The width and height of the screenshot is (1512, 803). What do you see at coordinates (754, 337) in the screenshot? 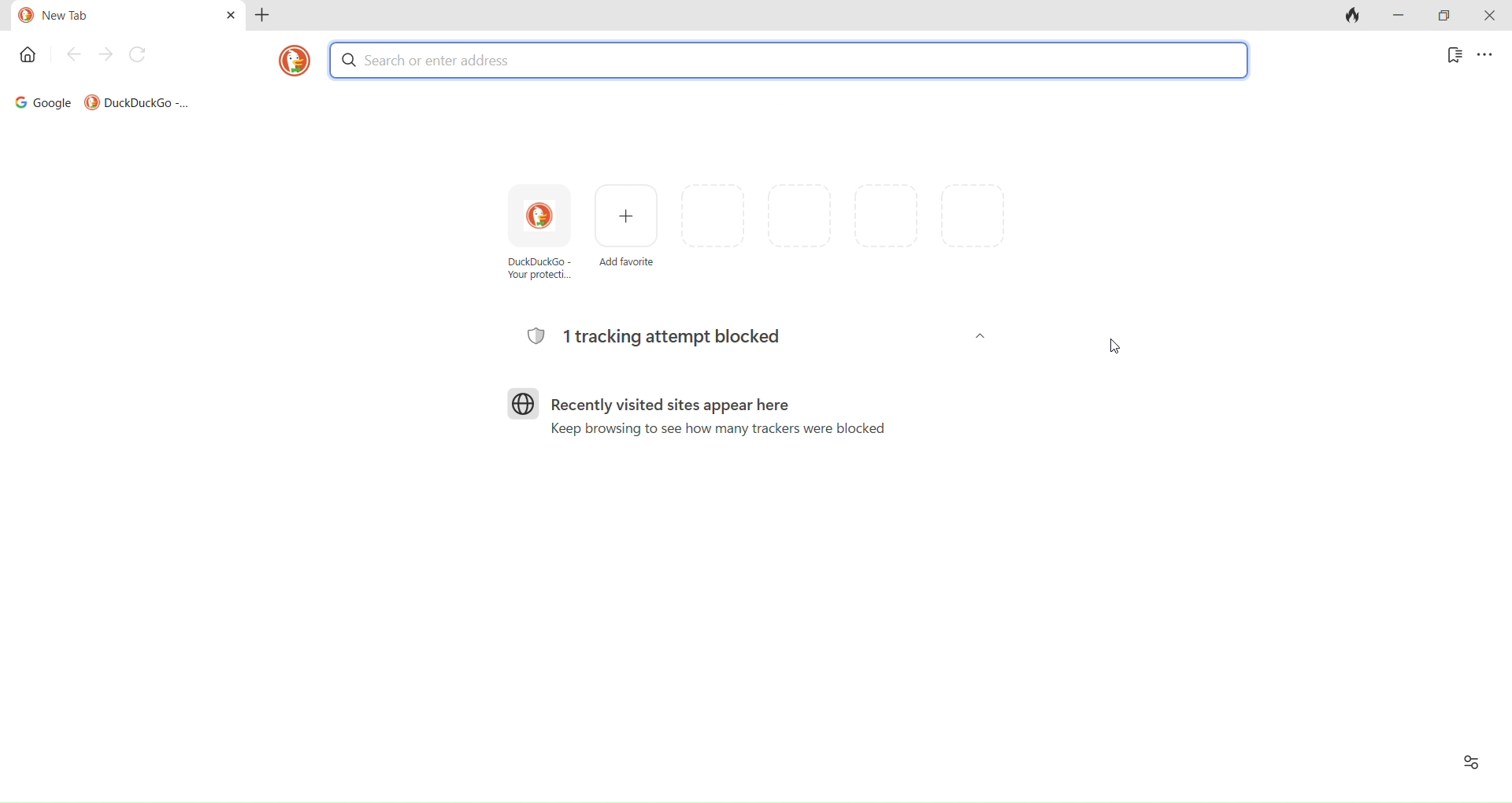
I see `1 tracking attempt blocked` at bounding box center [754, 337].